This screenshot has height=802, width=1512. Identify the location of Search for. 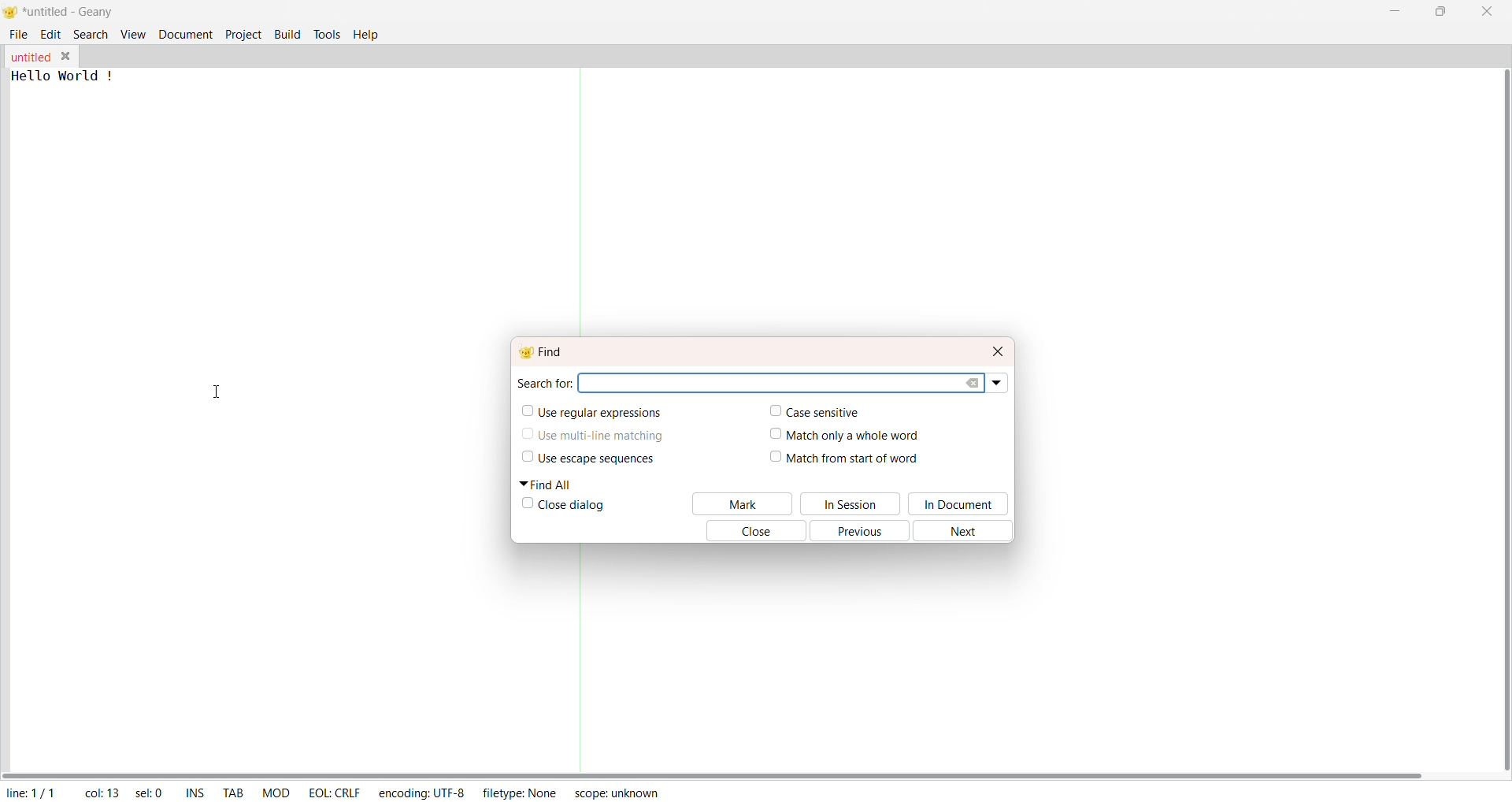
(543, 382).